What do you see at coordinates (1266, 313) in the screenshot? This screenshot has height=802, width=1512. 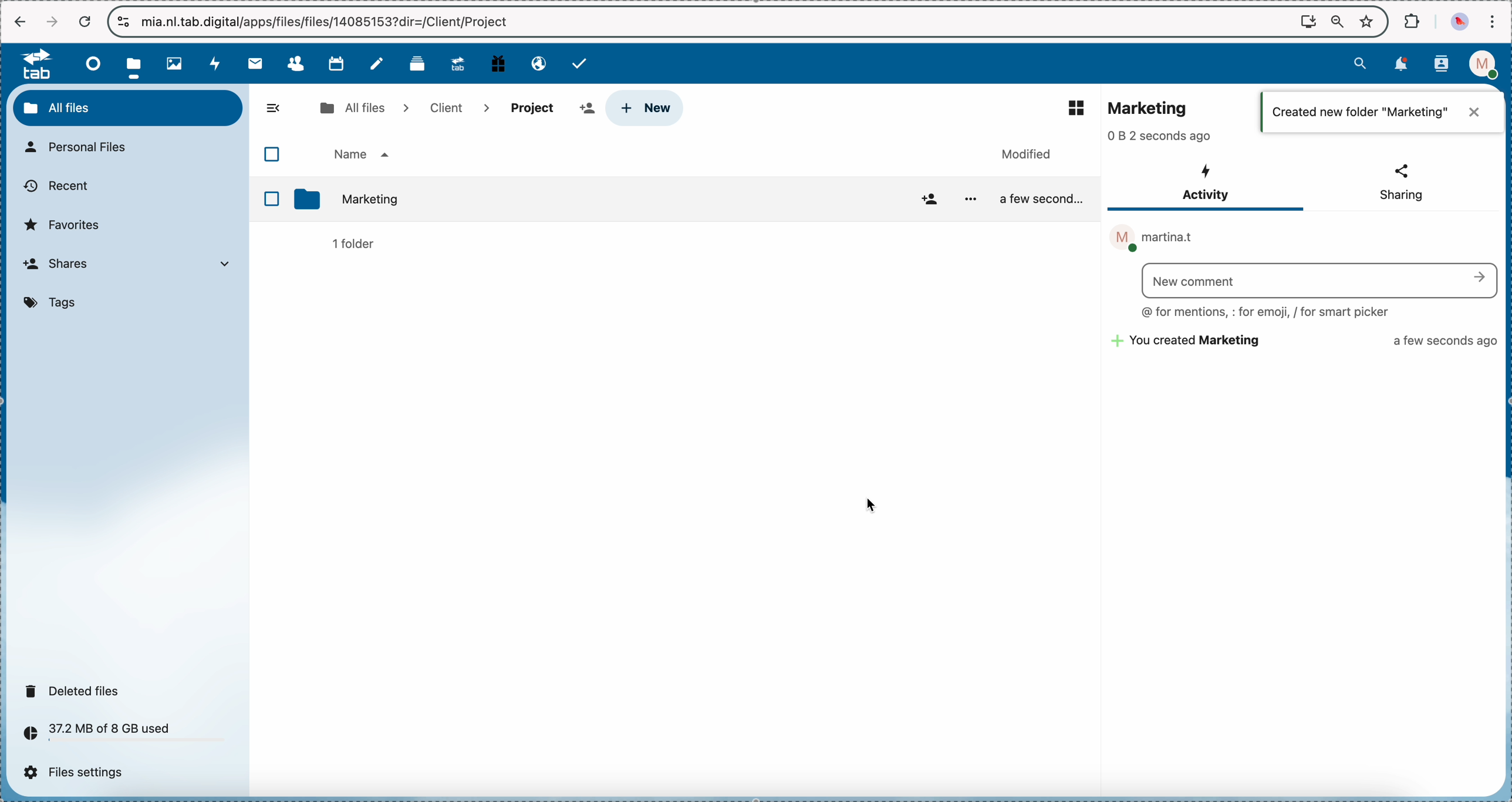 I see `comment` at bounding box center [1266, 313].